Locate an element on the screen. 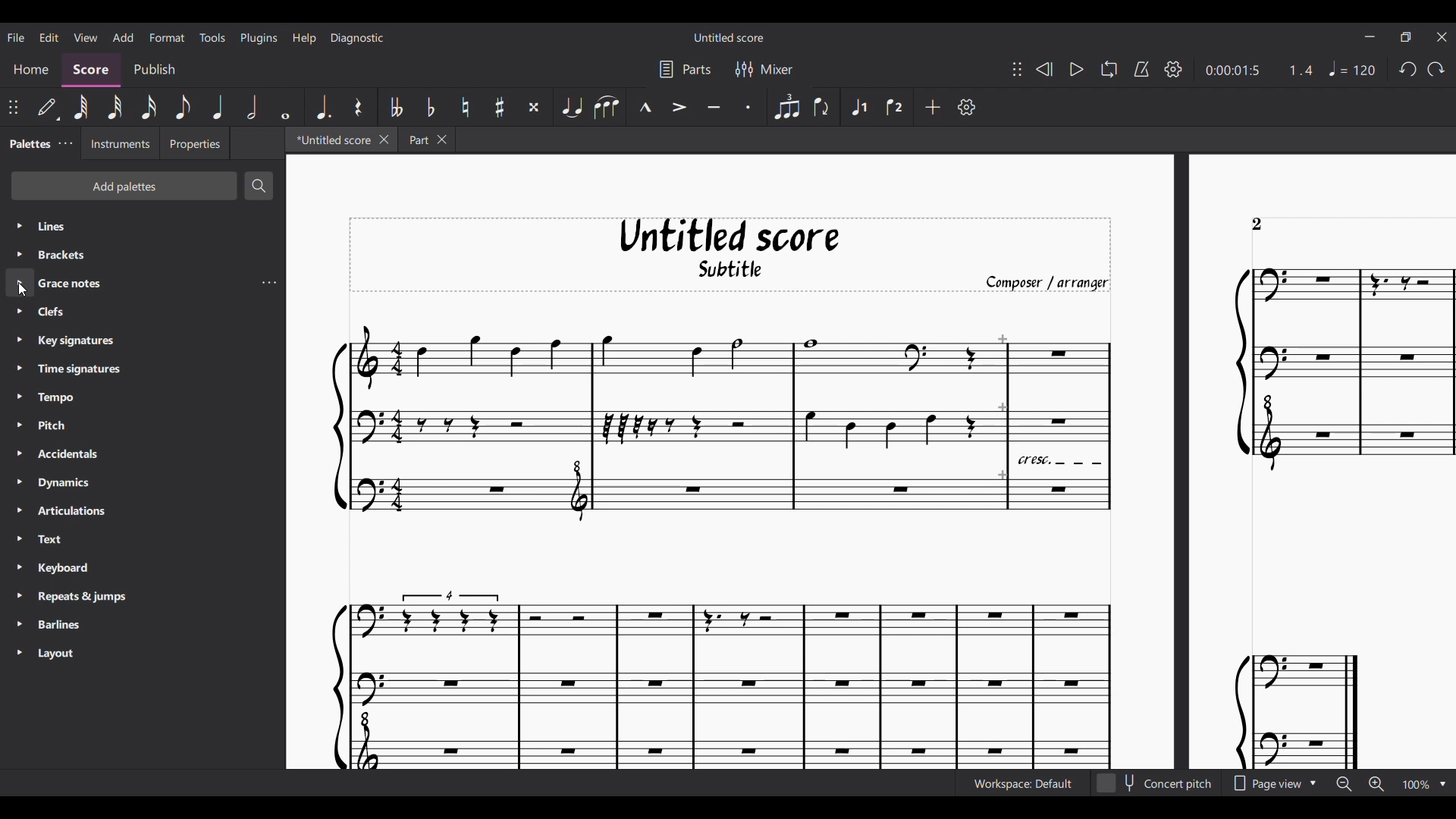 The image size is (1456, 819). 16th note is located at coordinates (148, 108).